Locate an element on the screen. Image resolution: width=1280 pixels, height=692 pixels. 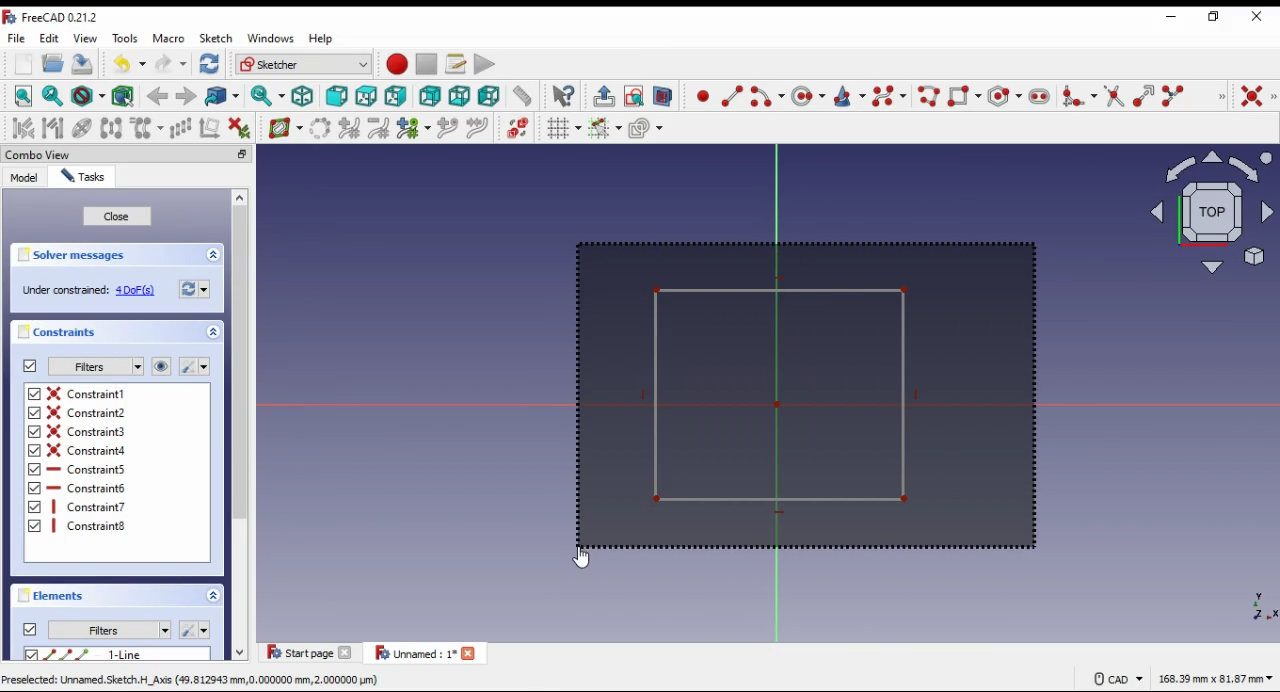
create slot is located at coordinates (1040, 96).